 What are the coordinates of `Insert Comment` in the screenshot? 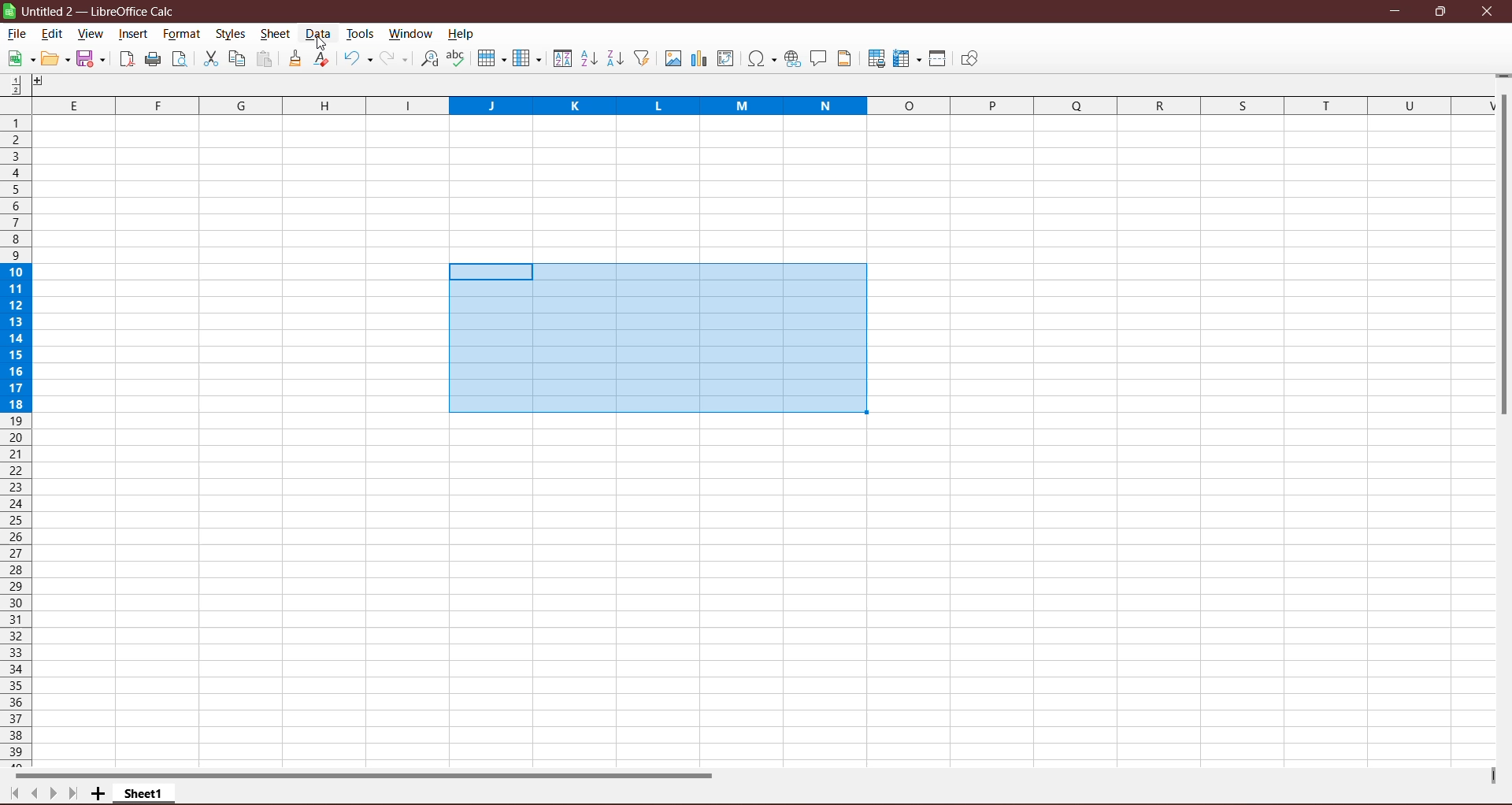 It's located at (819, 59).